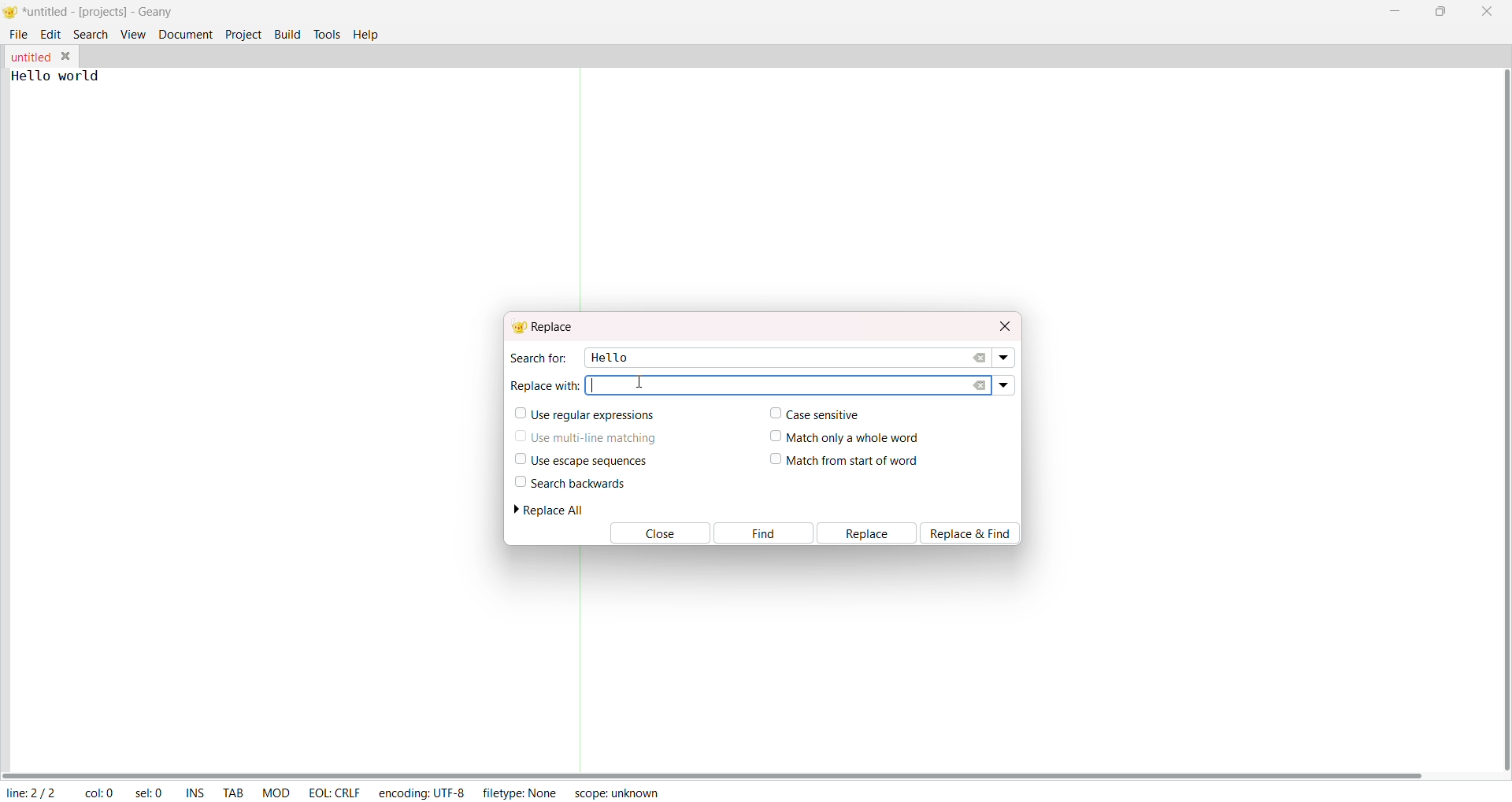 The height and width of the screenshot is (802, 1512). What do you see at coordinates (91, 33) in the screenshot?
I see `search` at bounding box center [91, 33].